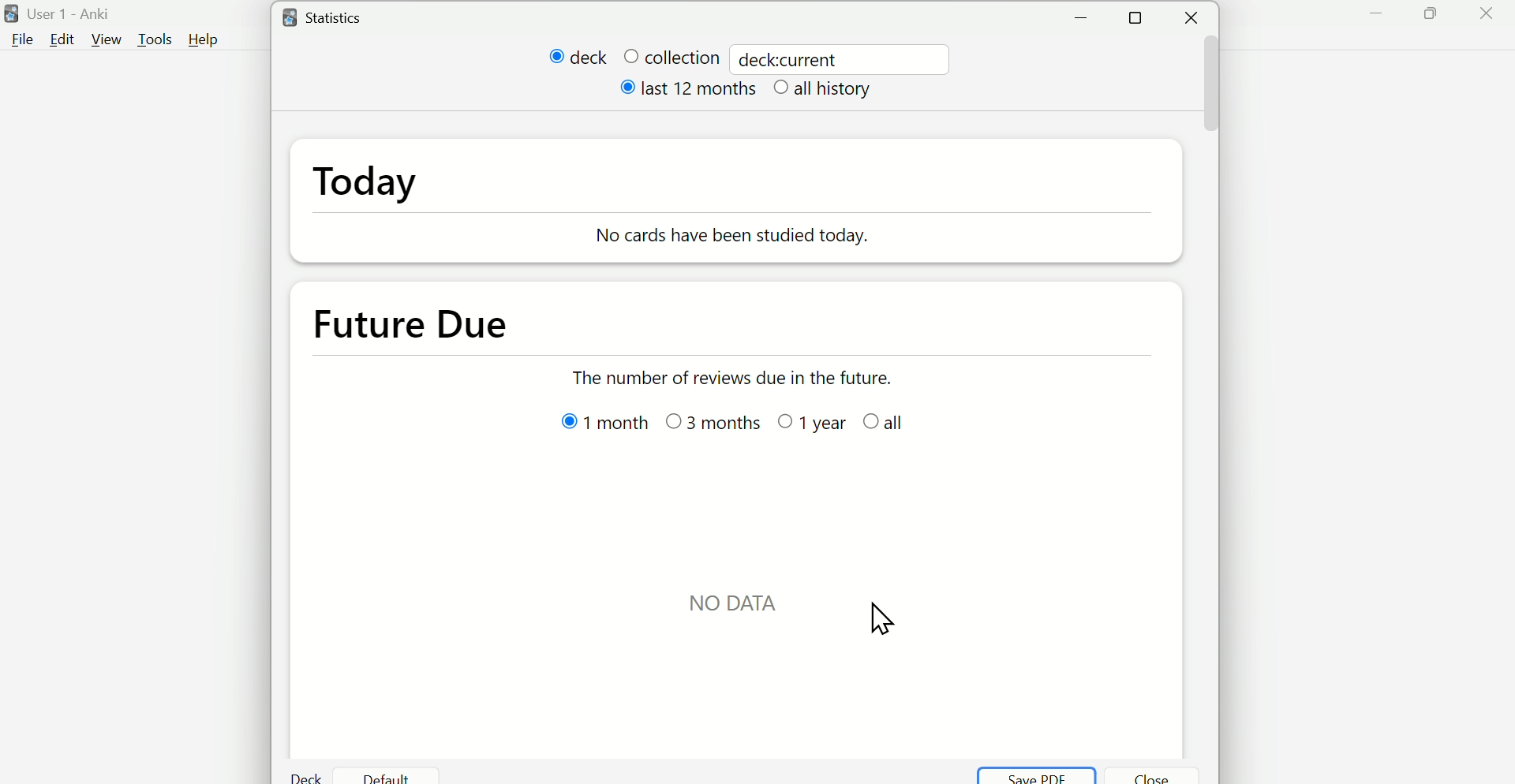 This screenshot has height=784, width=1515. What do you see at coordinates (157, 39) in the screenshot?
I see `Tools` at bounding box center [157, 39].